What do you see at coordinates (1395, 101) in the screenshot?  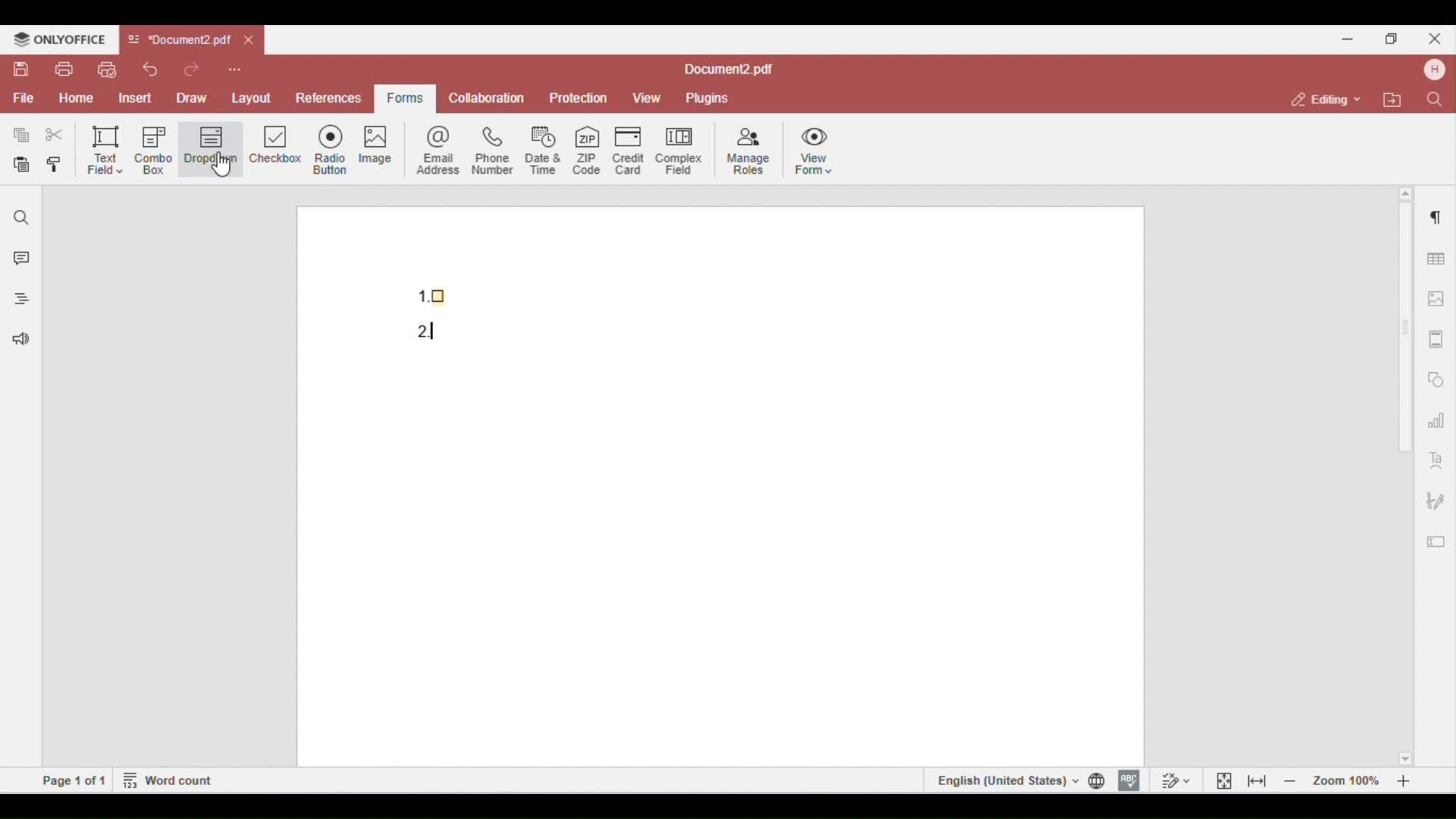 I see `open file location` at bounding box center [1395, 101].